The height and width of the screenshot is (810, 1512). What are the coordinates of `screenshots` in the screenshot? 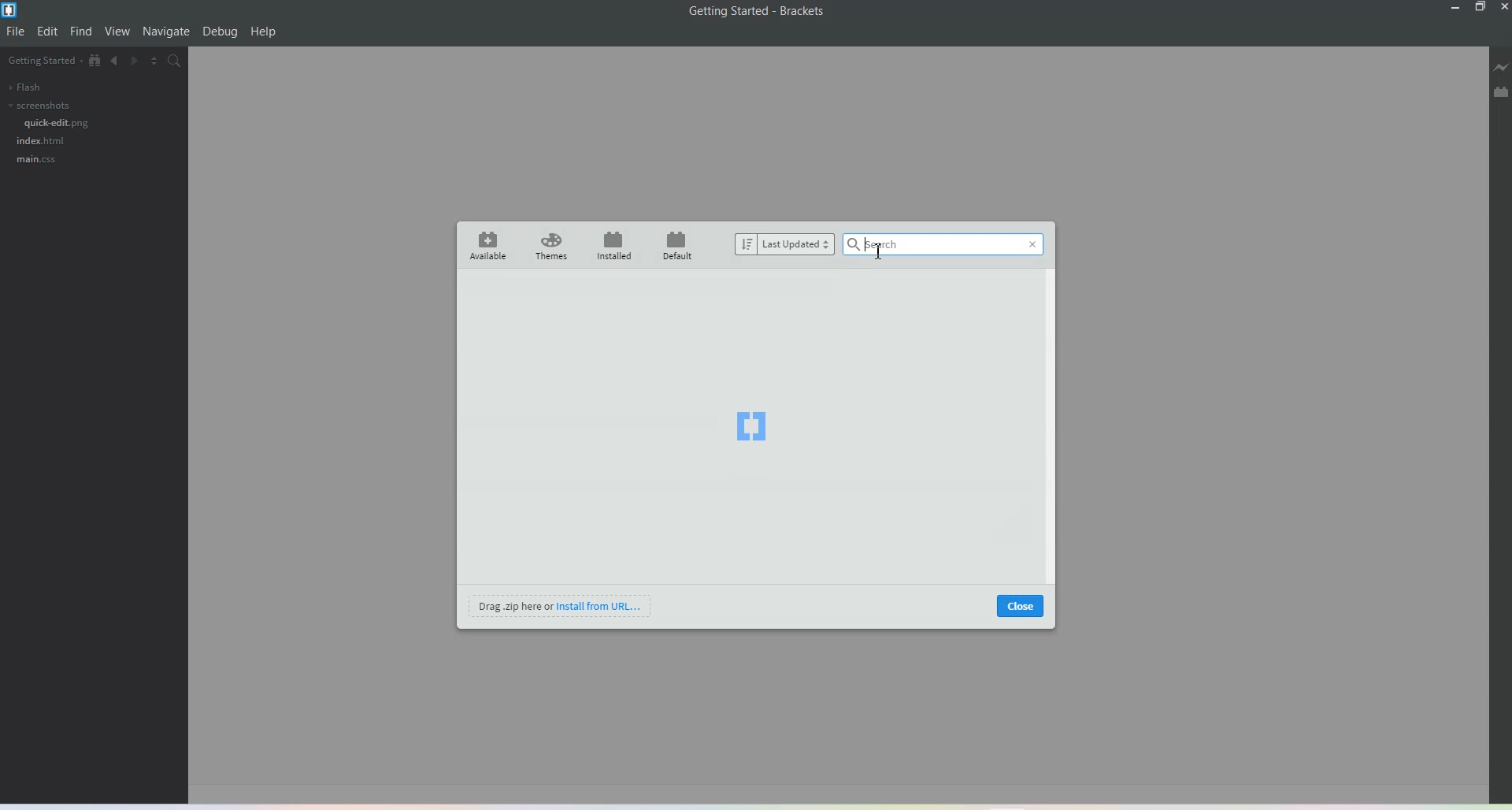 It's located at (38, 106).